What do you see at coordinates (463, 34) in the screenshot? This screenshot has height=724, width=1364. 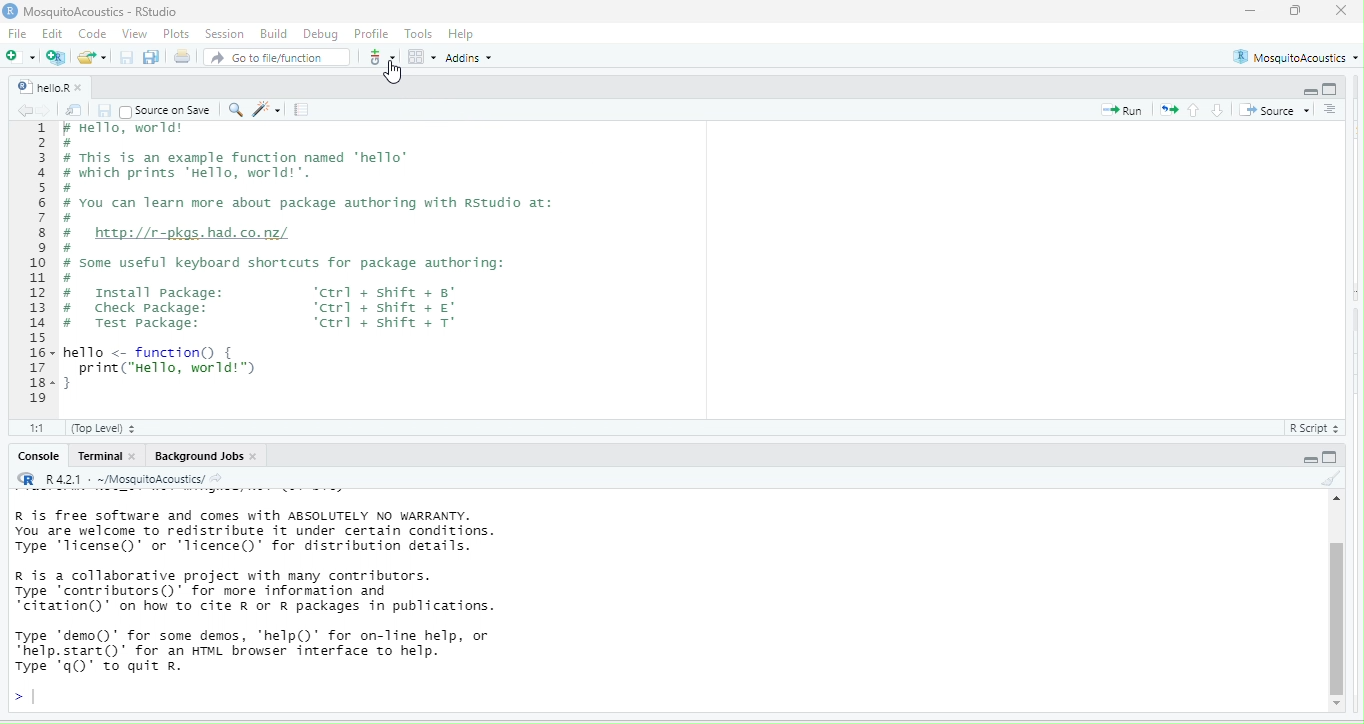 I see ` Help` at bounding box center [463, 34].